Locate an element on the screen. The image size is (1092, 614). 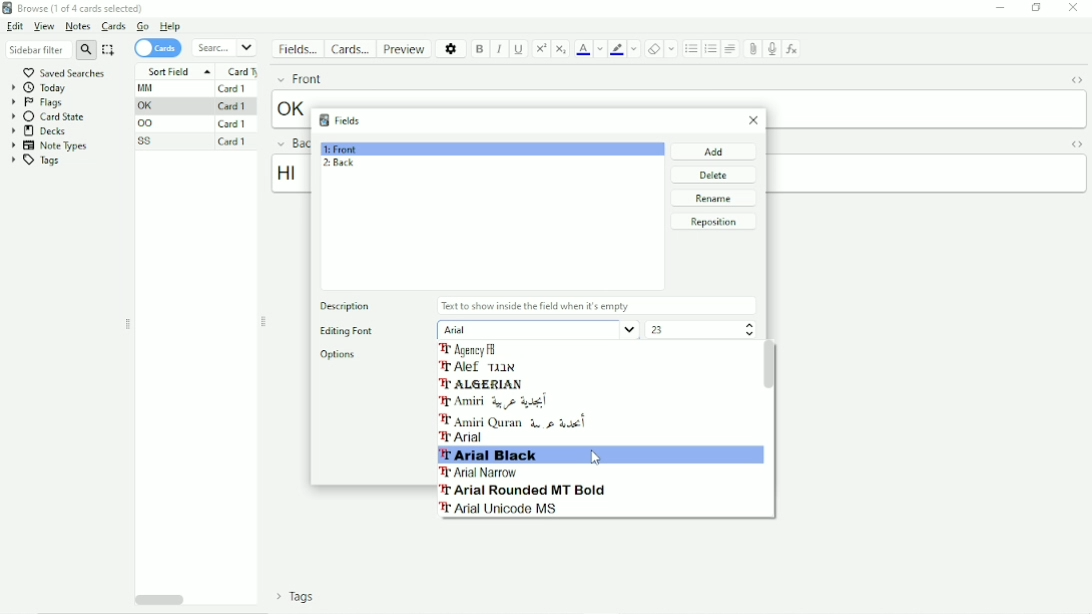
Decks is located at coordinates (39, 131).